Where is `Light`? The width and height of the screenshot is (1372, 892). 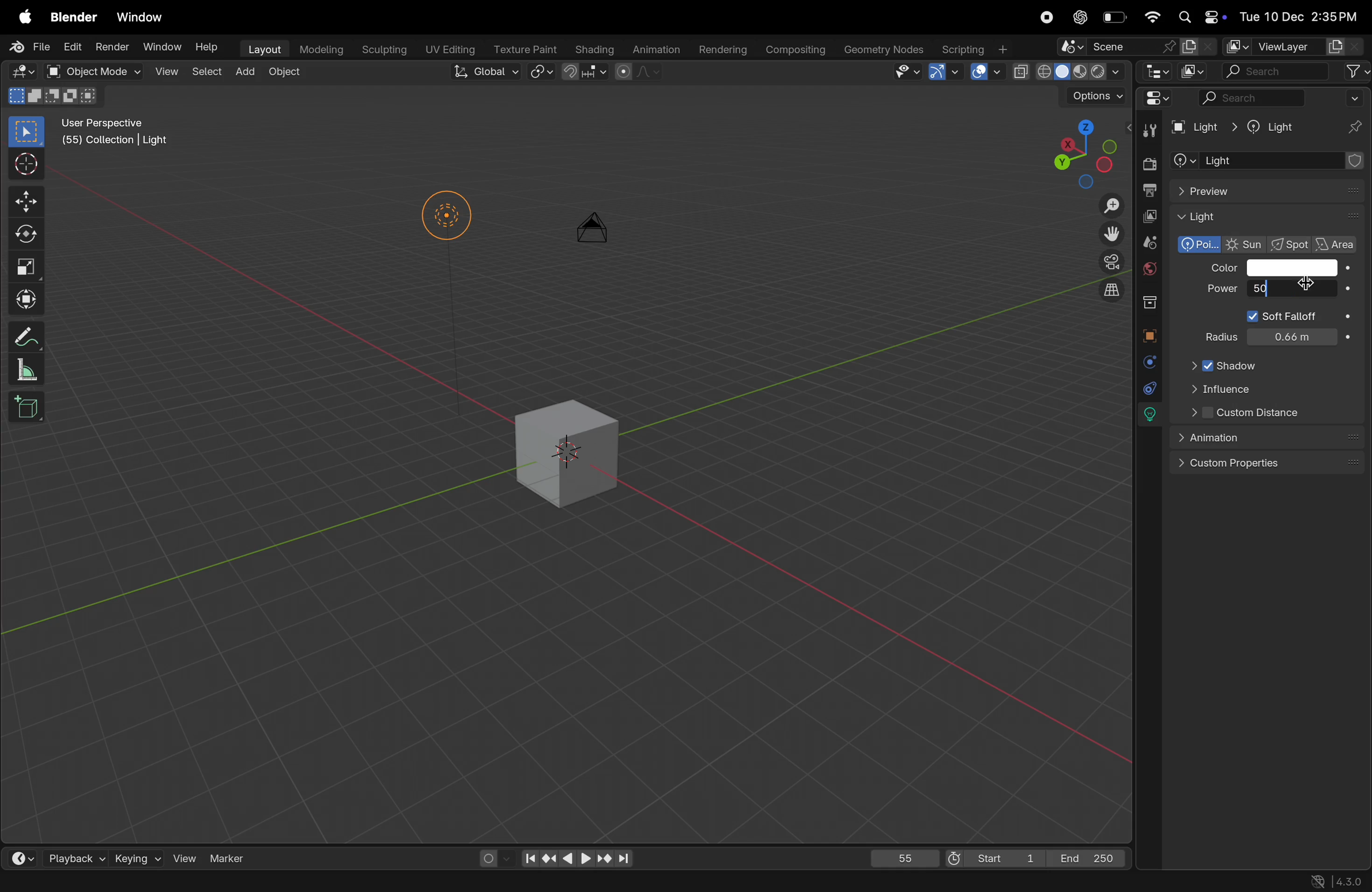
Light is located at coordinates (1266, 218).